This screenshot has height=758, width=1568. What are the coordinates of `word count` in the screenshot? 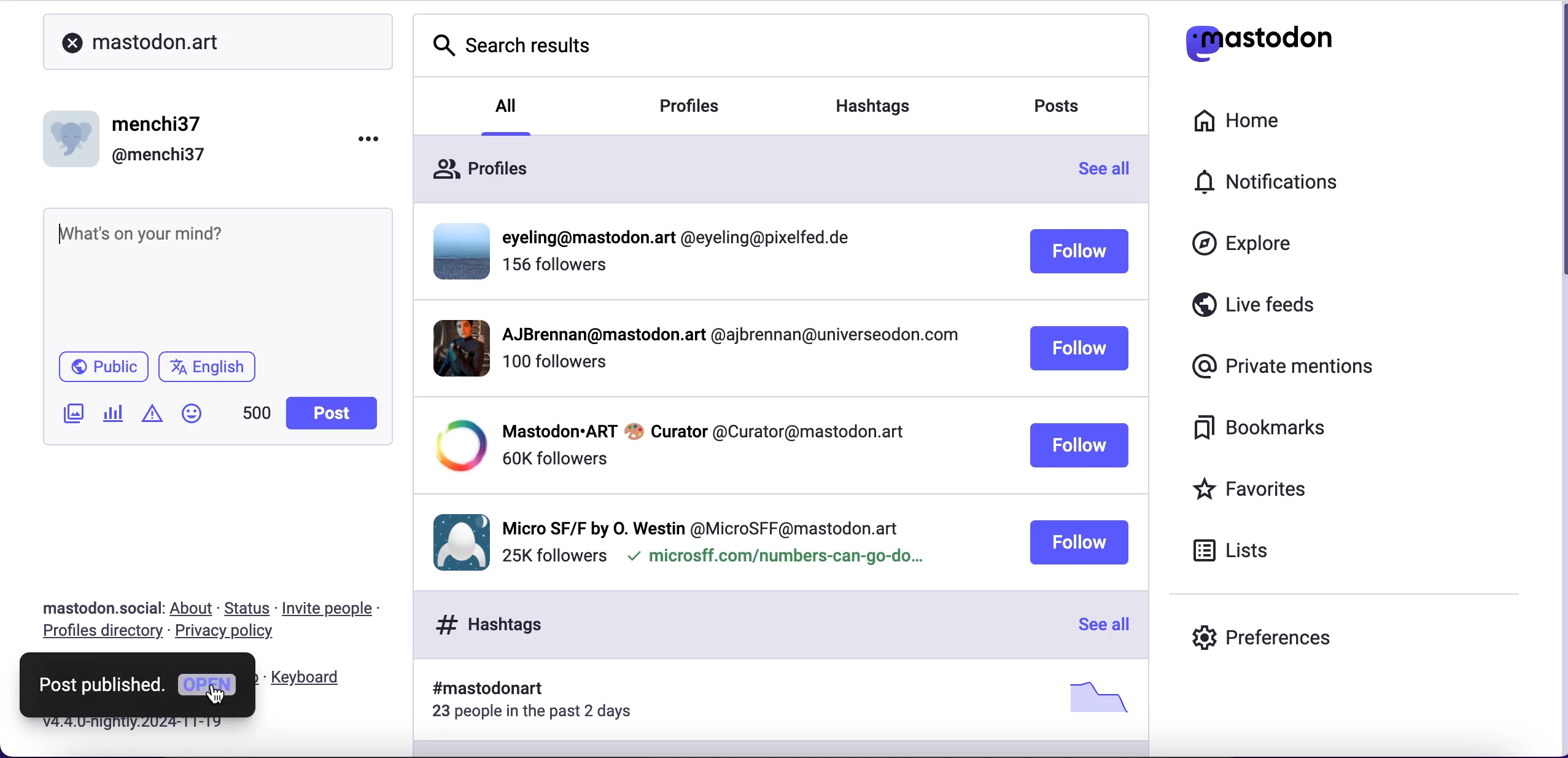 It's located at (257, 413).